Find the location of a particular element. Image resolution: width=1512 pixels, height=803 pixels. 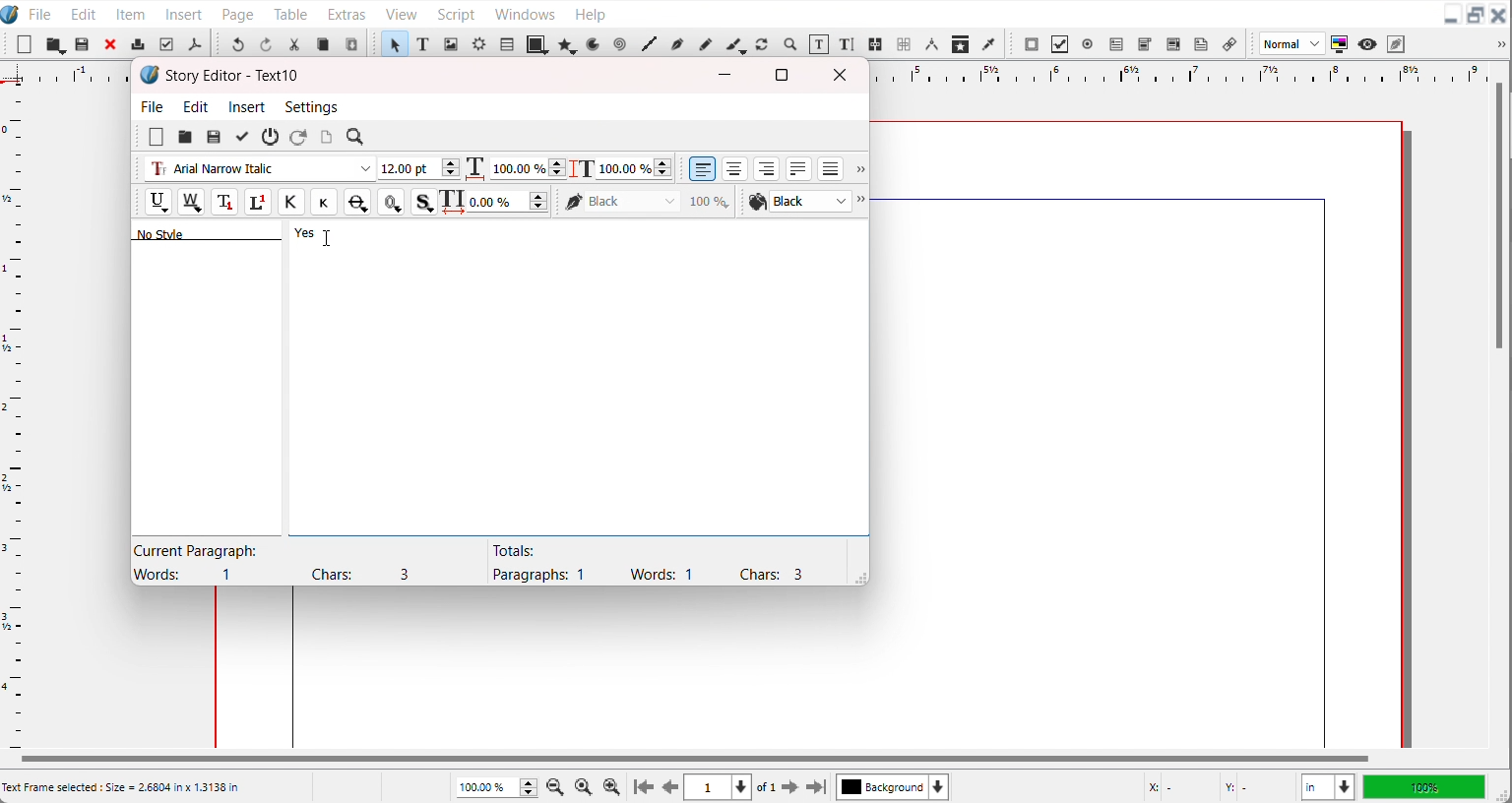

Text is located at coordinates (647, 562).